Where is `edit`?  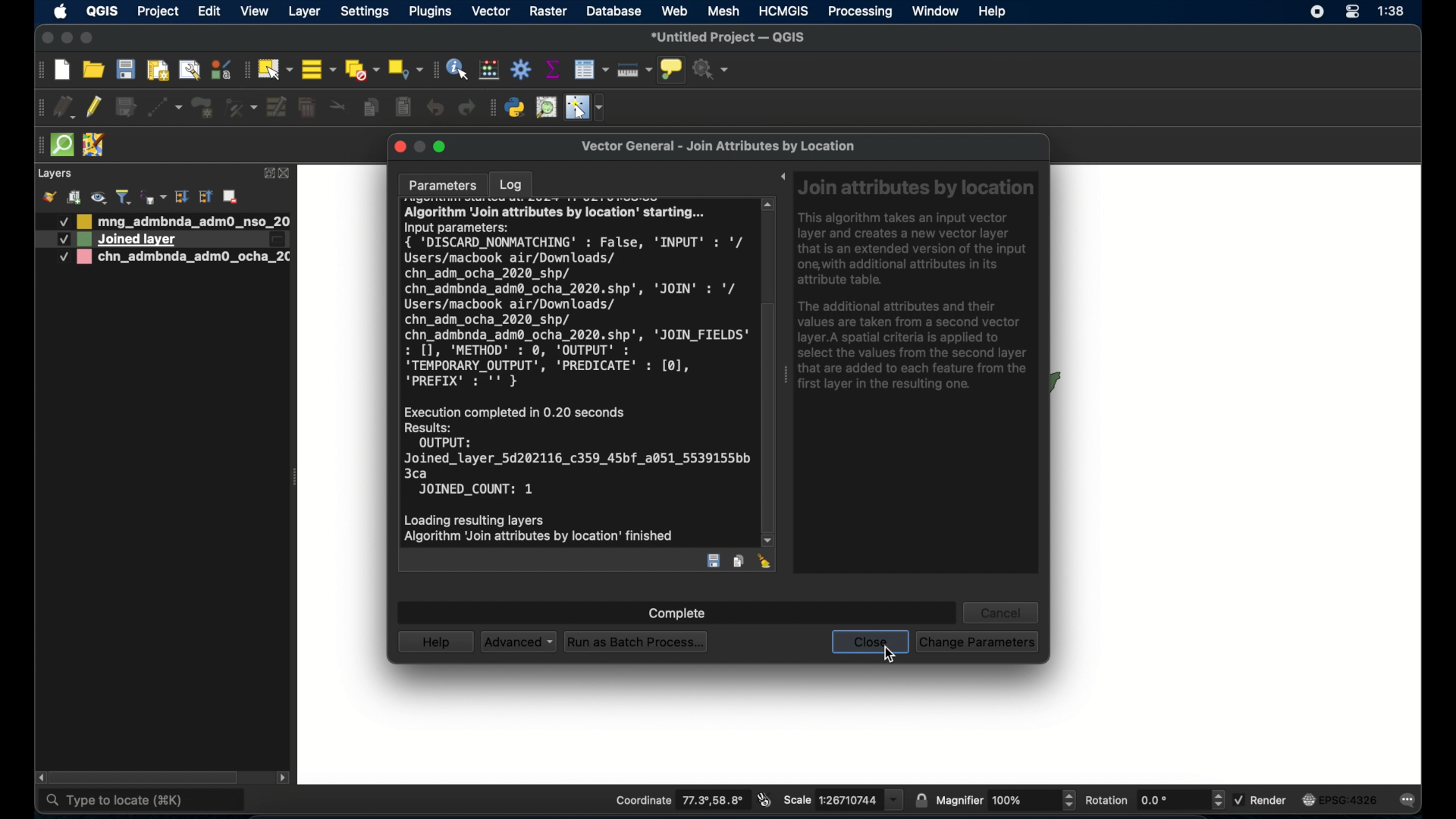
edit is located at coordinates (209, 11).